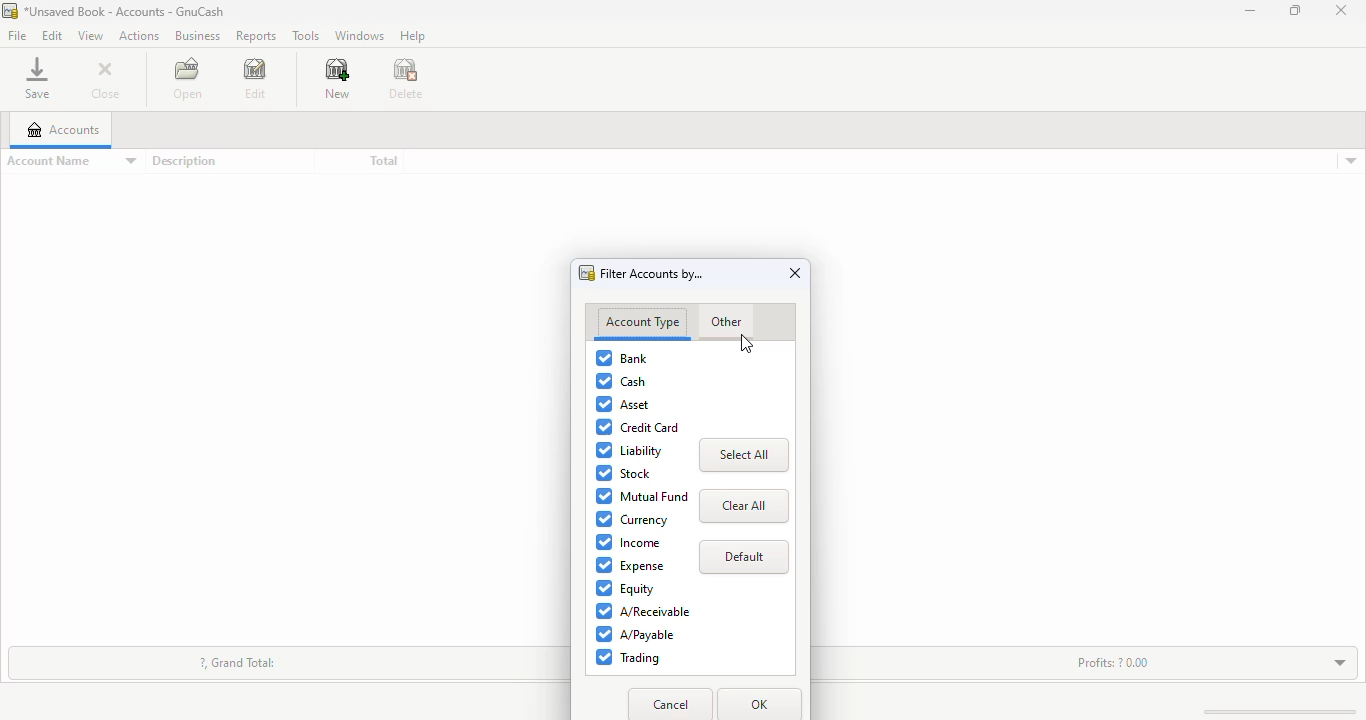 Image resolution: width=1366 pixels, height=720 pixels. What do you see at coordinates (587, 273) in the screenshot?
I see `logo` at bounding box center [587, 273].